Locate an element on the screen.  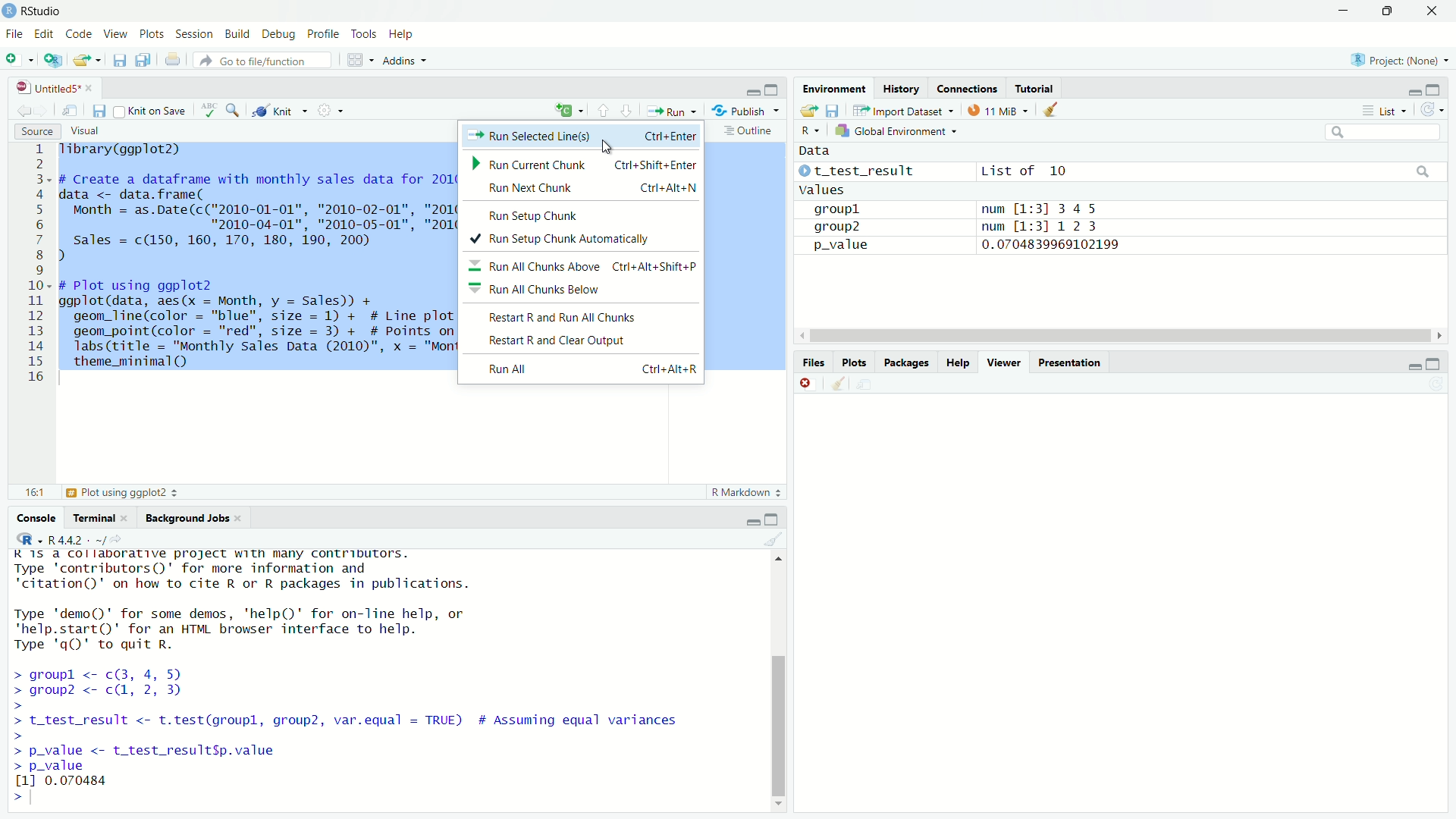
settings is located at coordinates (331, 111).